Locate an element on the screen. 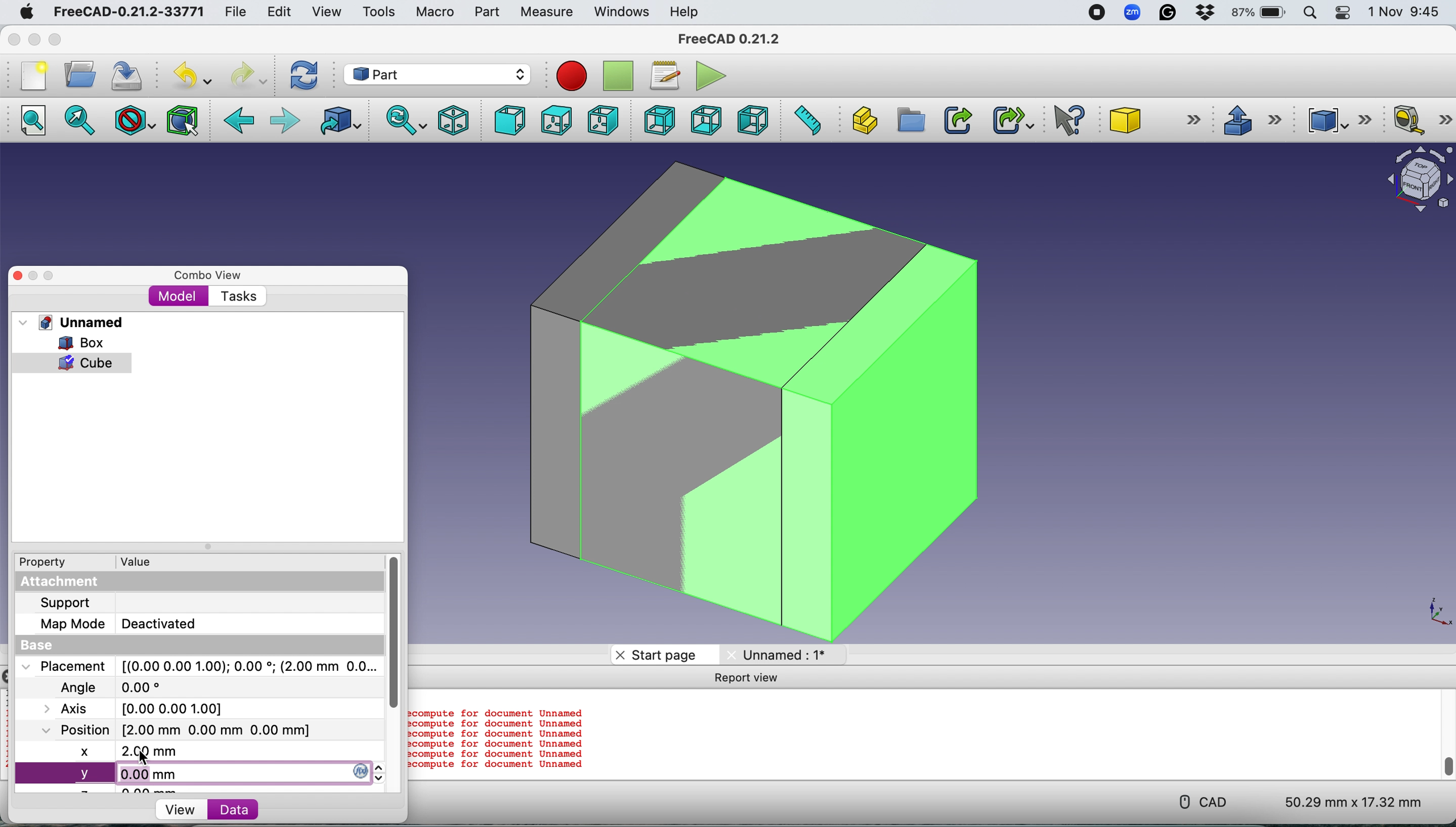 Image resolution: width=1456 pixels, height=827 pixels. System logo is located at coordinates (25, 12).